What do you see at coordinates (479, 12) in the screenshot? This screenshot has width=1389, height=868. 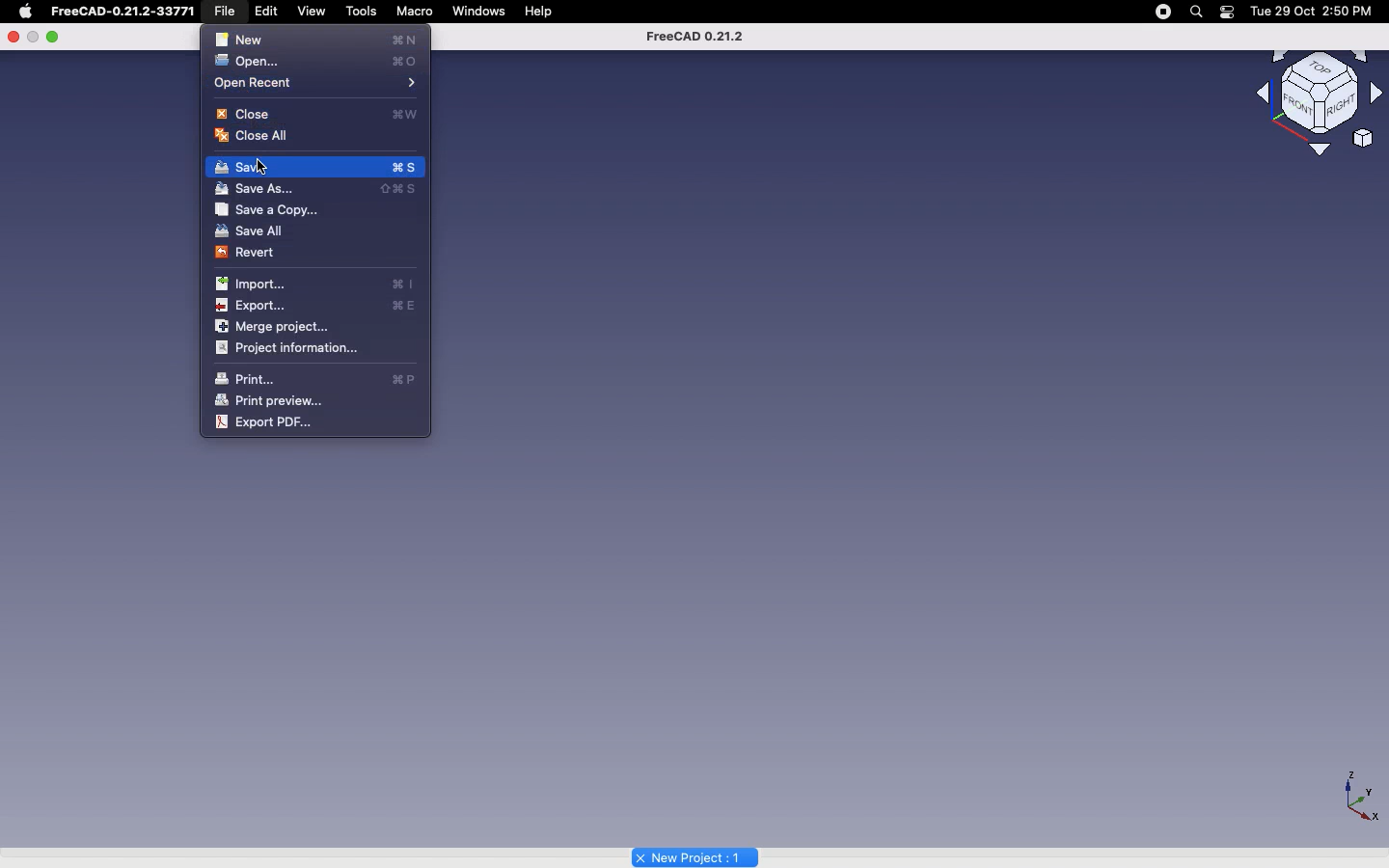 I see `Windows` at bounding box center [479, 12].